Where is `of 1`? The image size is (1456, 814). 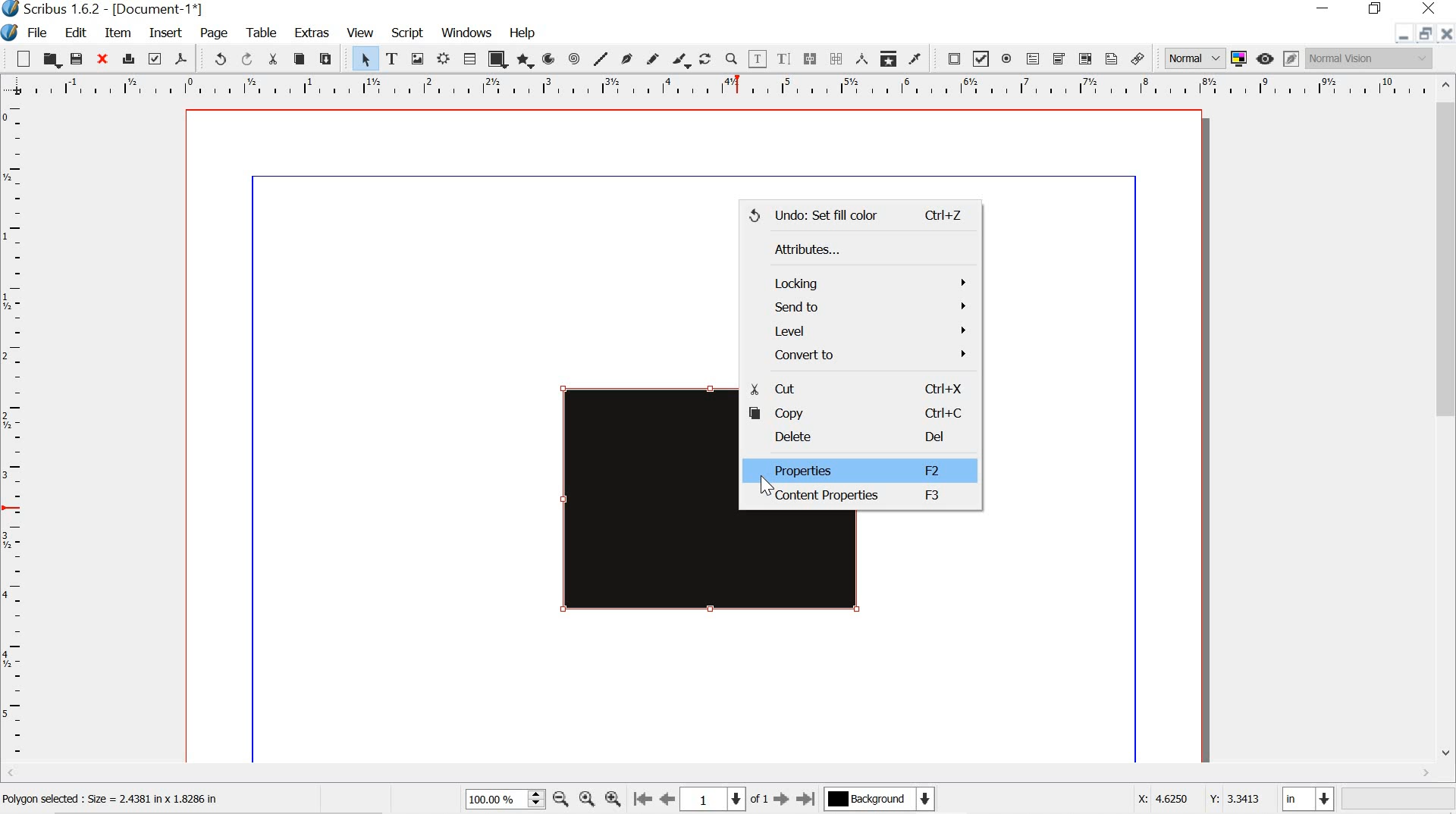
of 1 is located at coordinates (759, 799).